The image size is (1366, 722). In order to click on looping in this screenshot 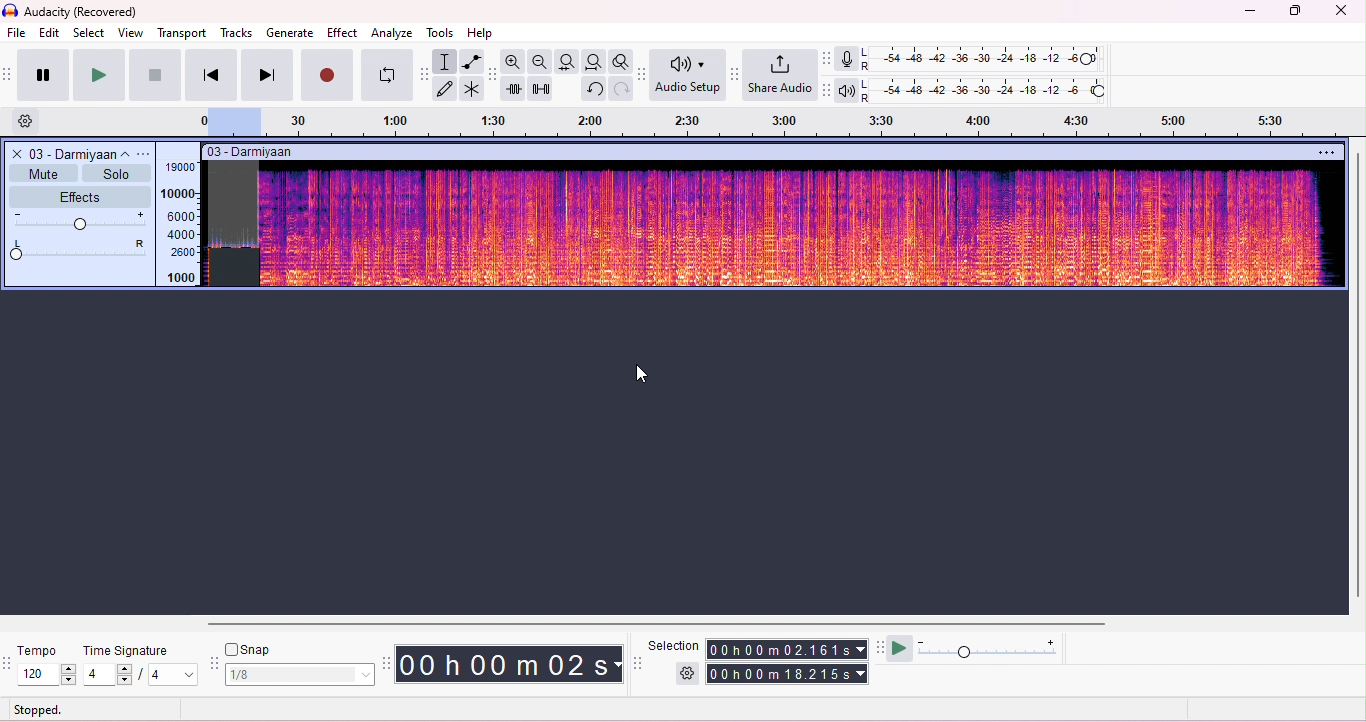, I will do `click(384, 75)`.